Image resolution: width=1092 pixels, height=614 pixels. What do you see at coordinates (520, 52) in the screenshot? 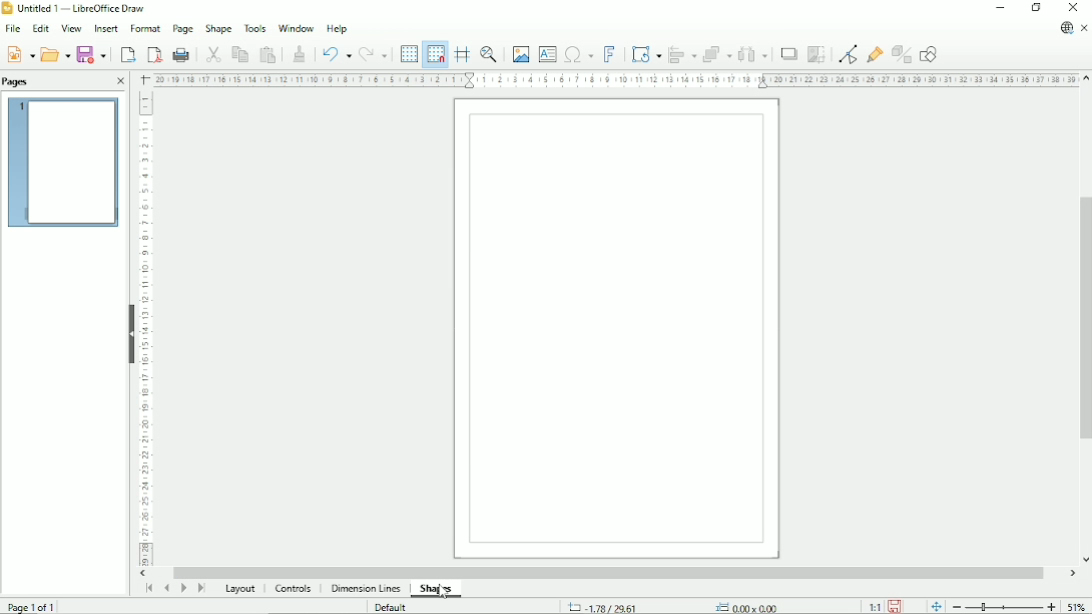
I see `Insert image` at bounding box center [520, 52].